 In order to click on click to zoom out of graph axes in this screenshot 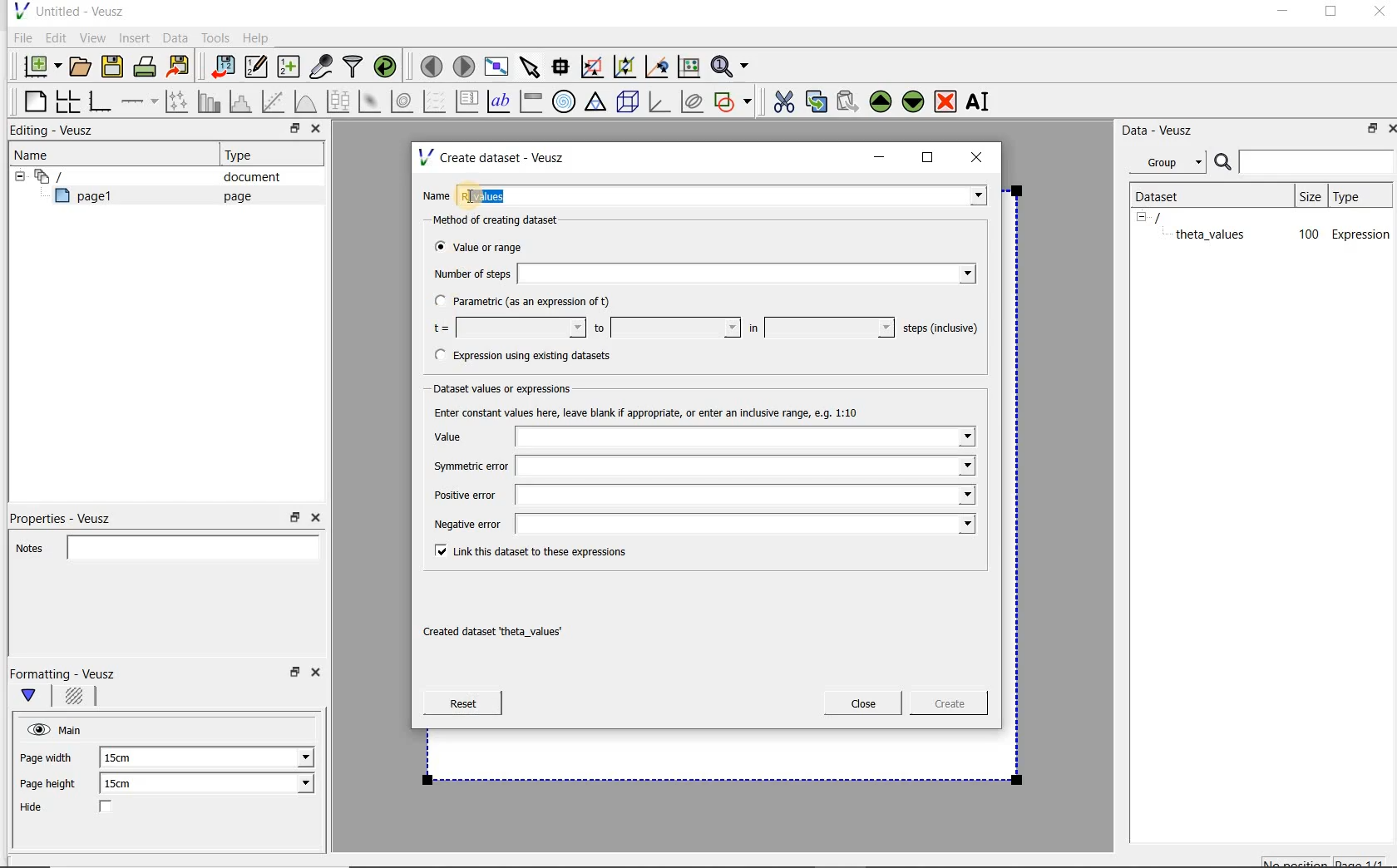, I will do `click(625, 67)`.